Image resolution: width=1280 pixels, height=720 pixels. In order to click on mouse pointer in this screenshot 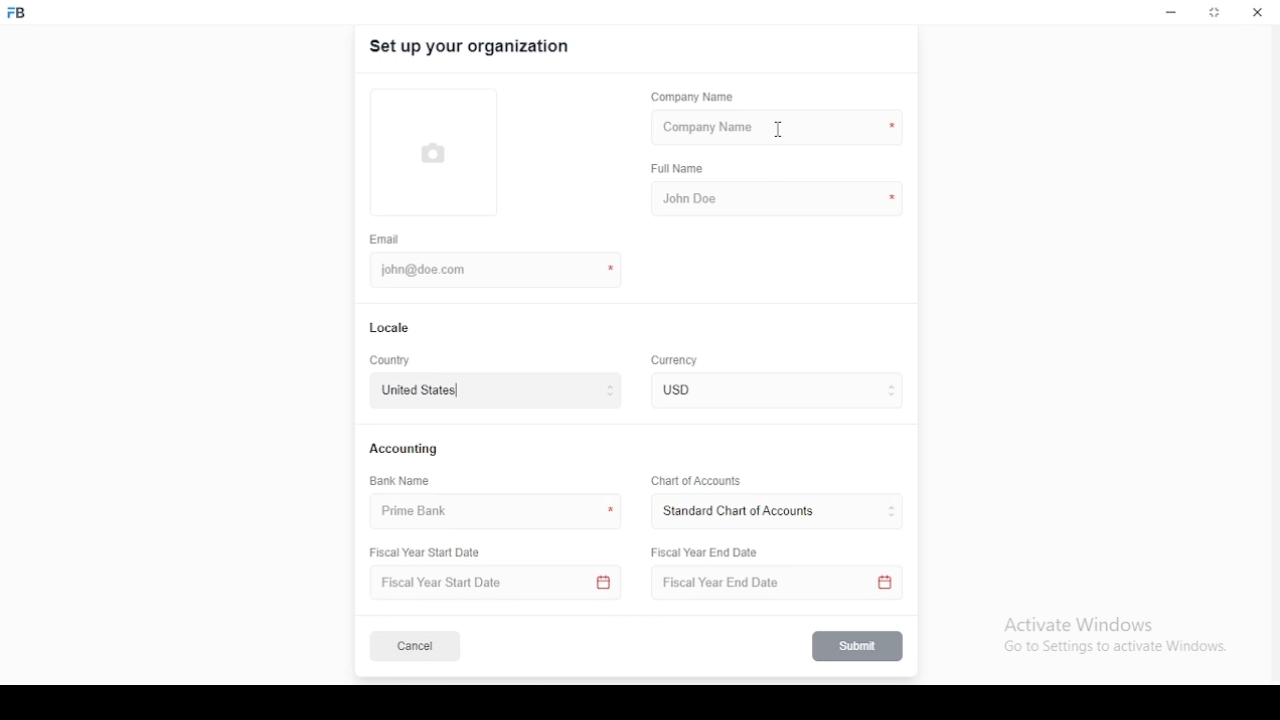, I will do `click(775, 129)`.